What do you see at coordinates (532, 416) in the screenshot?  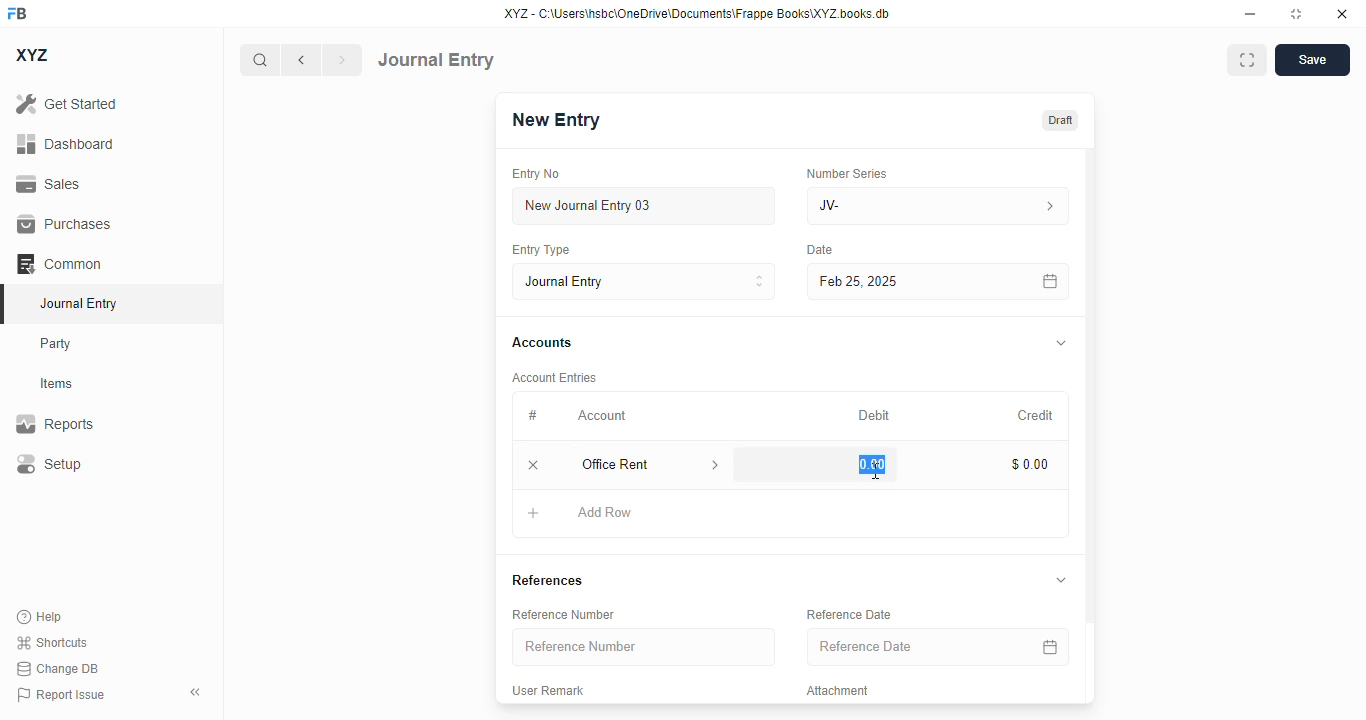 I see `#` at bounding box center [532, 416].